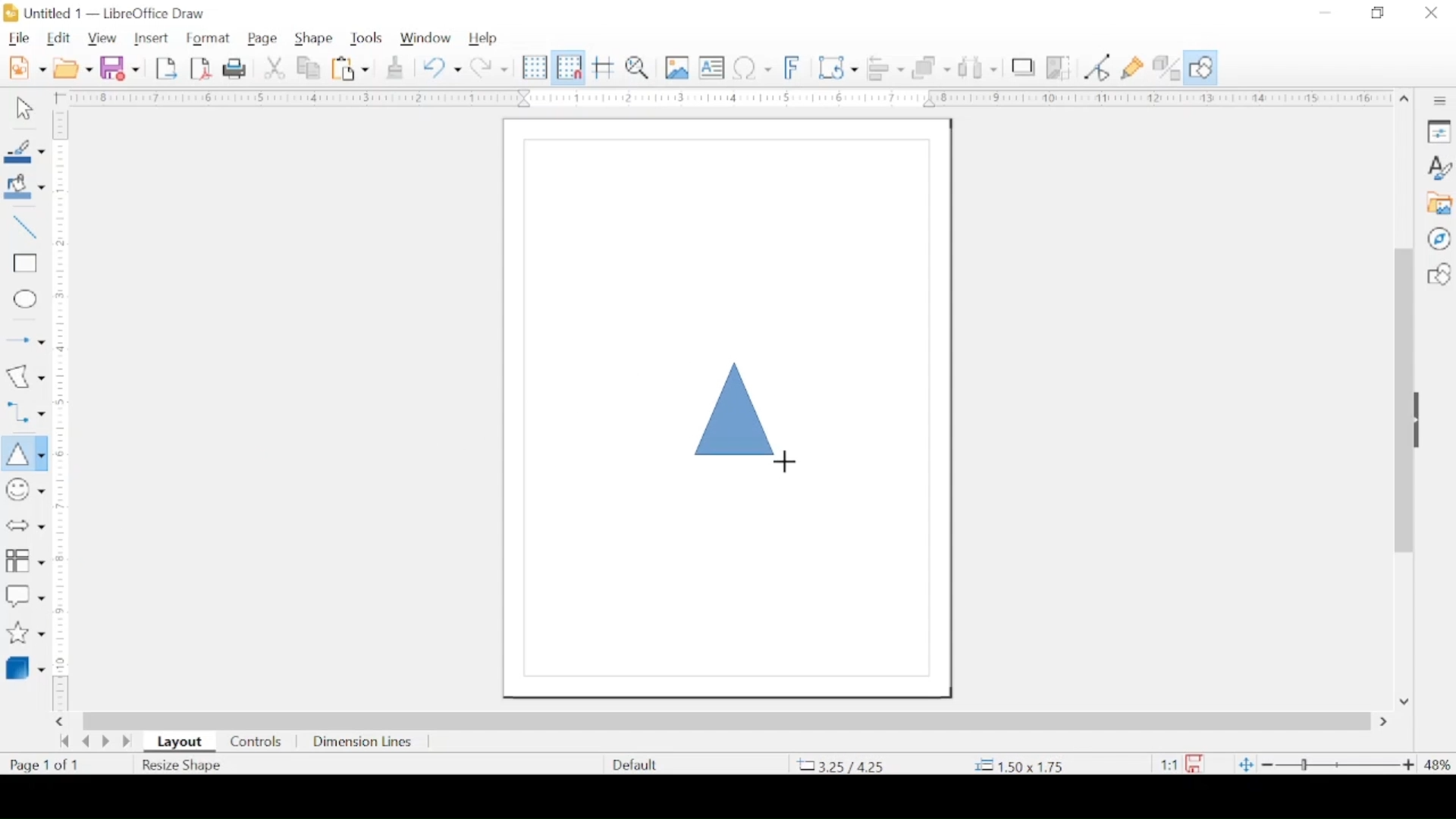 The width and height of the screenshot is (1456, 819). I want to click on gallery, so click(1441, 204).